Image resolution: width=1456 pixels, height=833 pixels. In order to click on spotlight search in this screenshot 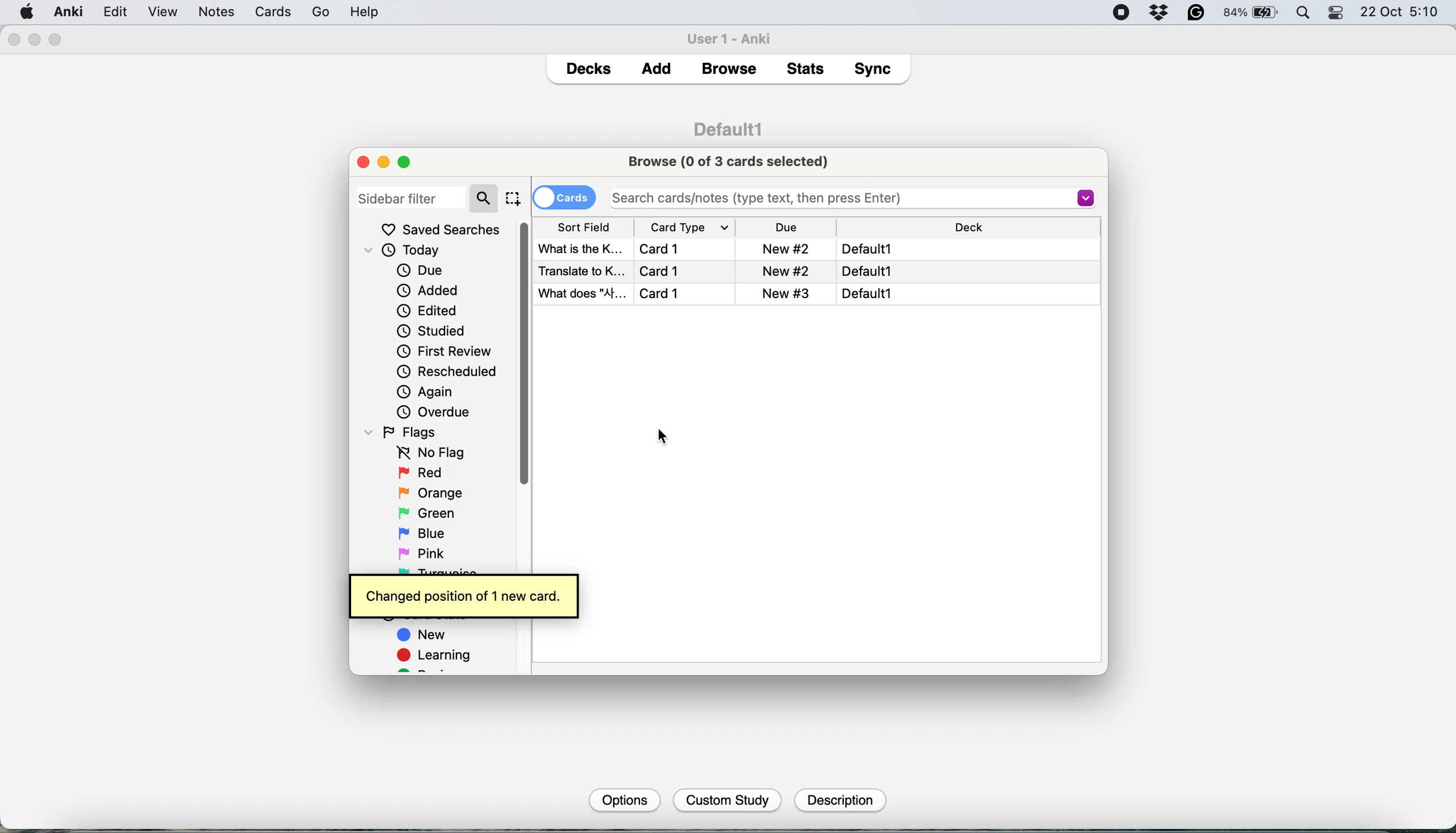, I will do `click(1306, 14)`.